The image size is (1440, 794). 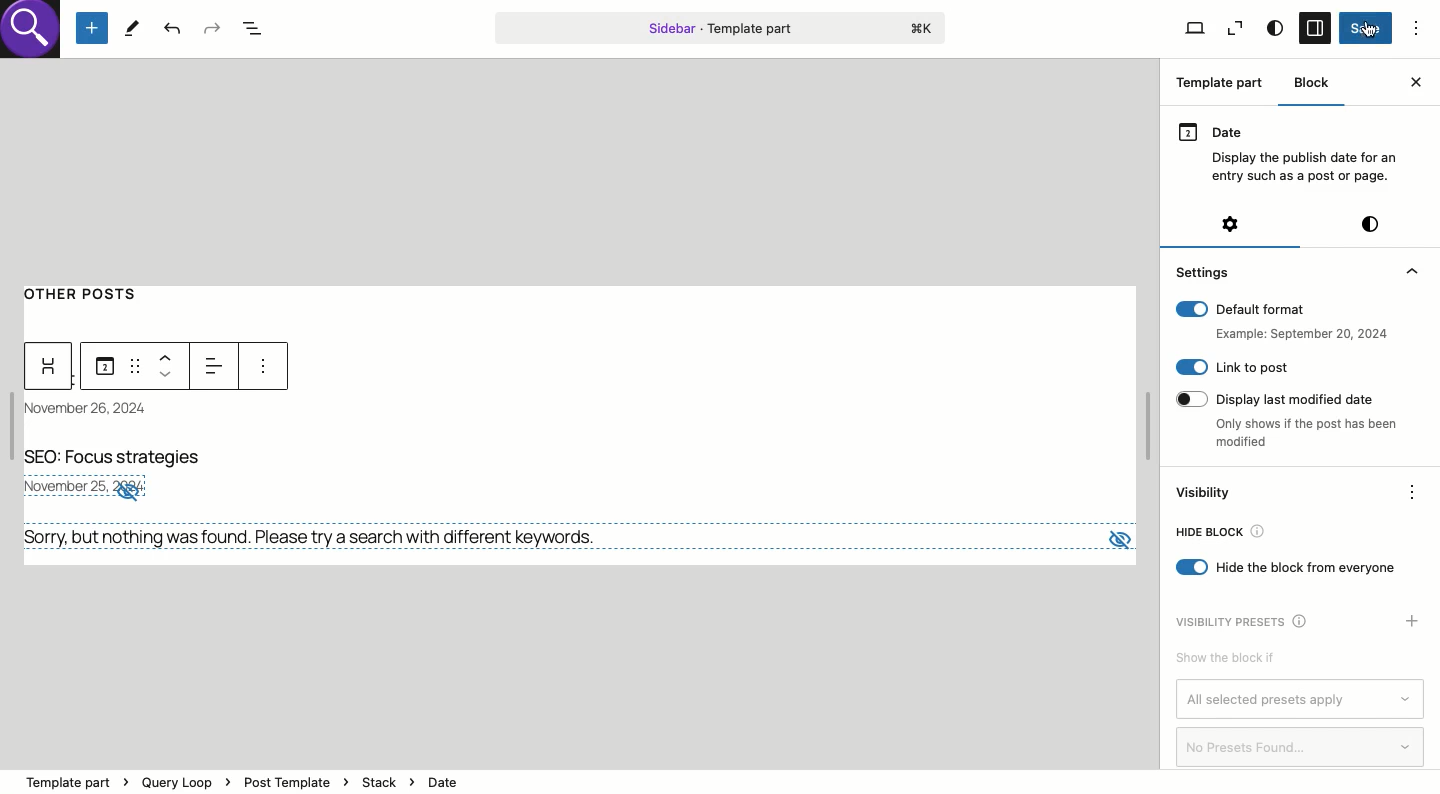 What do you see at coordinates (211, 27) in the screenshot?
I see `Redo` at bounding box center [211, 27].